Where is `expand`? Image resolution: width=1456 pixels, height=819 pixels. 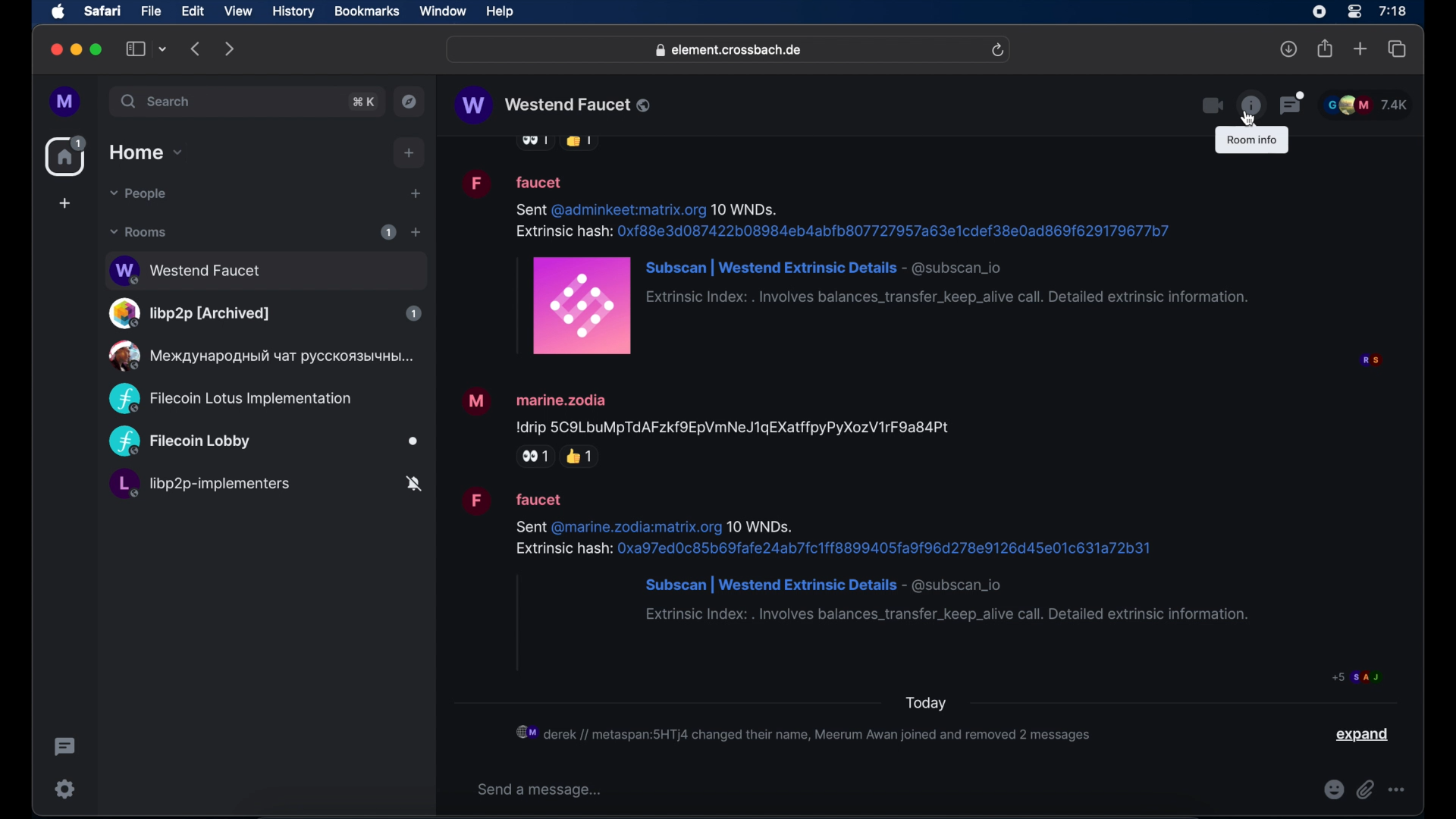 expand is located at coordinates (1364, 735).